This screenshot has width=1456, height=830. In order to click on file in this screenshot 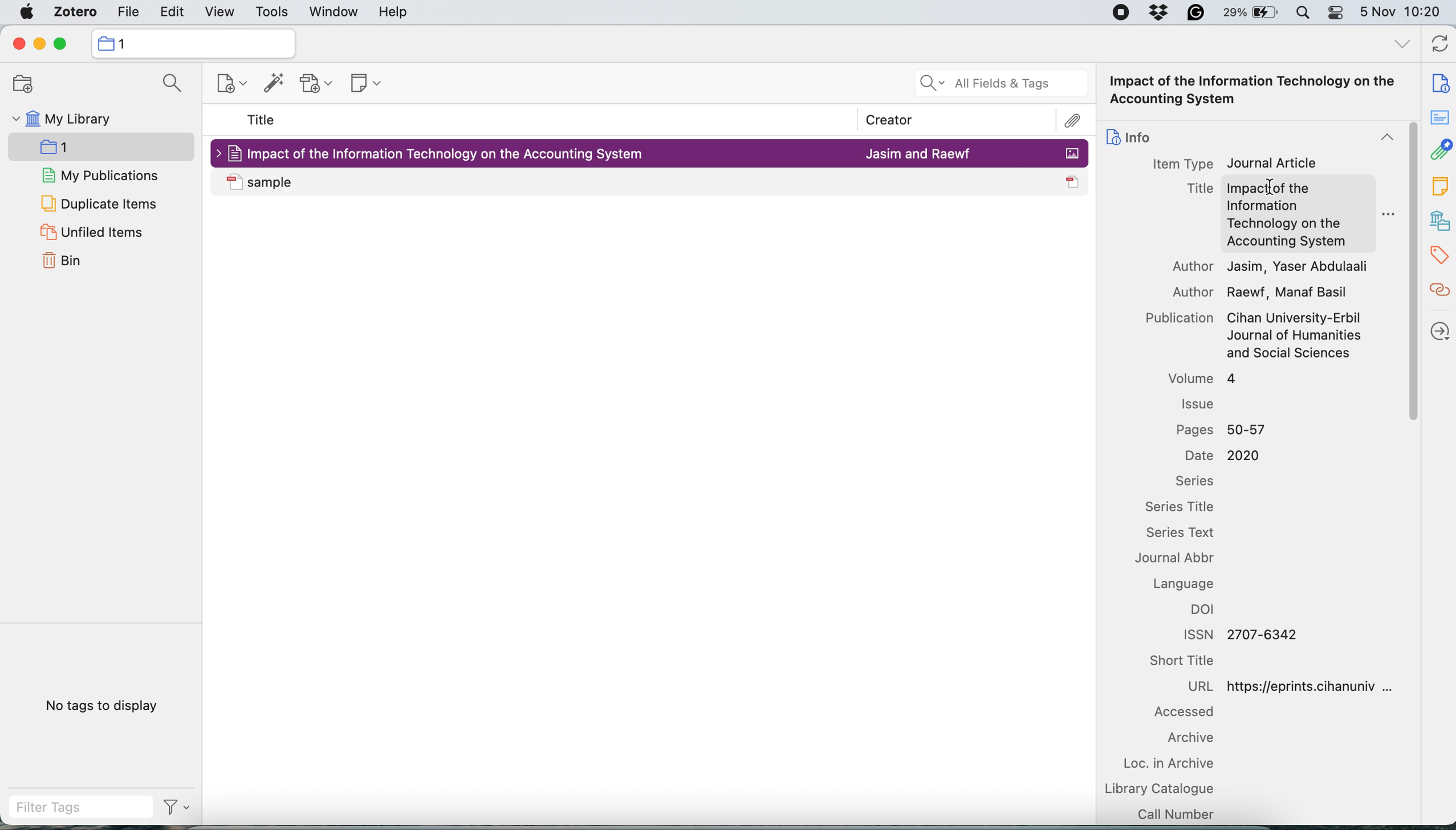, I will do `click(128, 12)`.